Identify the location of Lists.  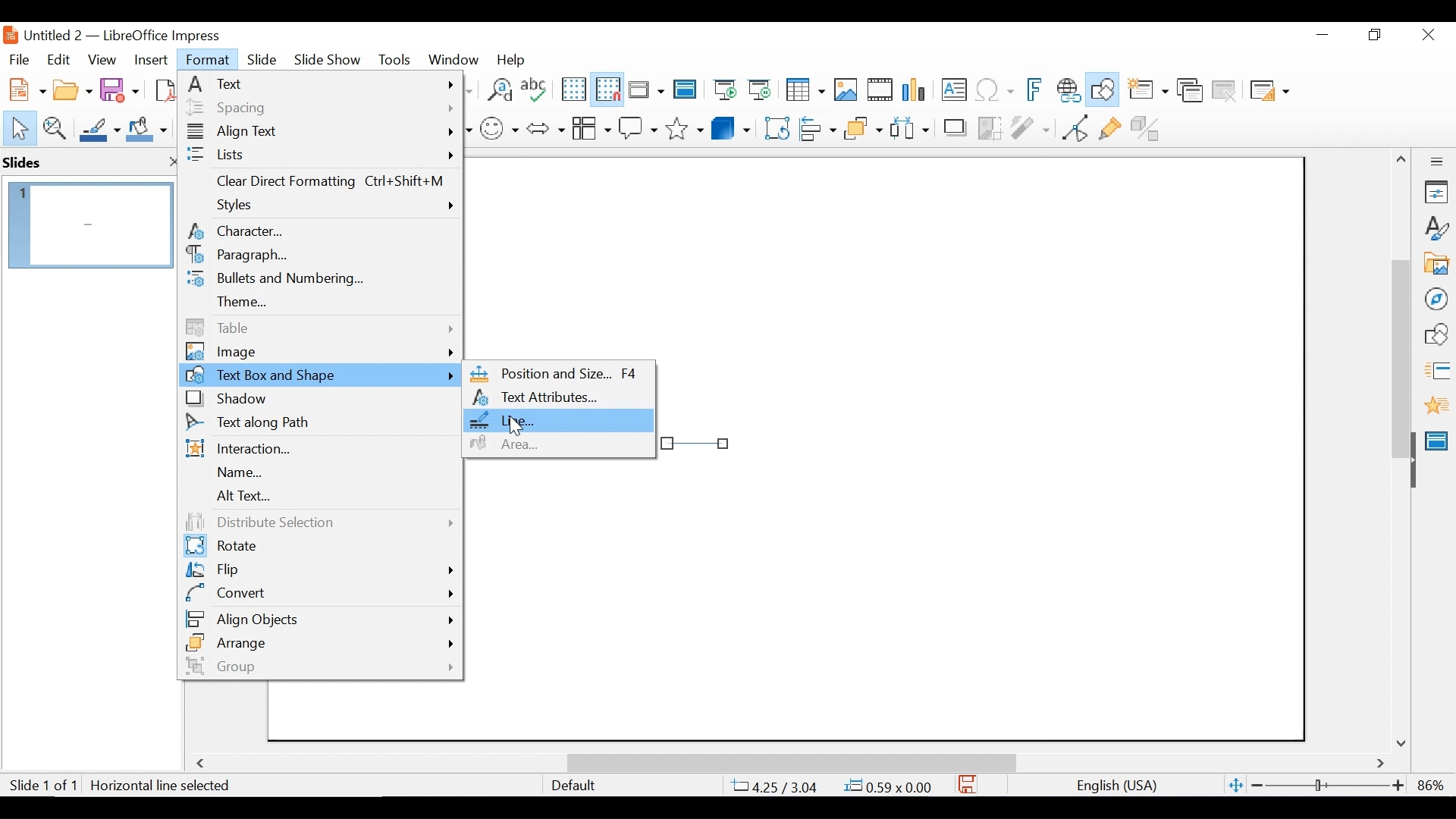
(320, 155).